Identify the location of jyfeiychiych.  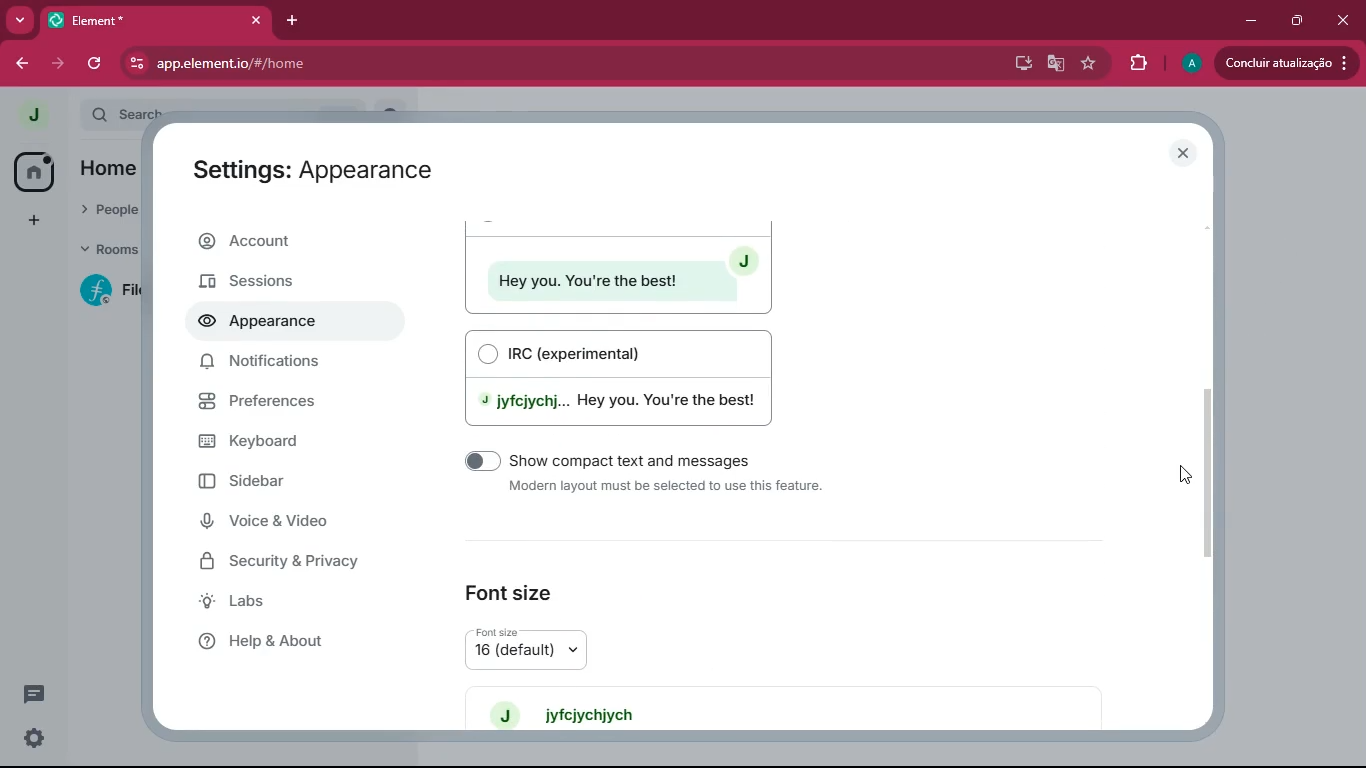
(577, 713).